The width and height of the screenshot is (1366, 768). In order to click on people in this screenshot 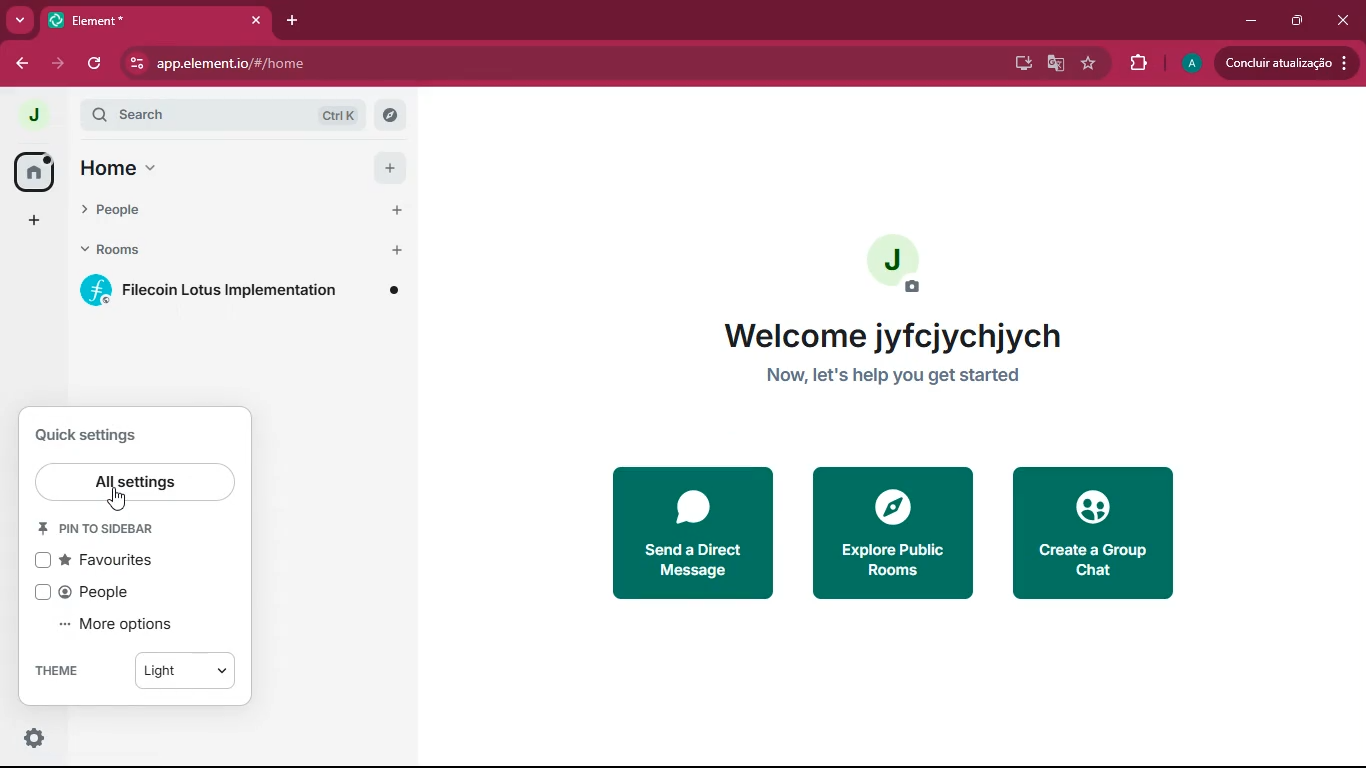, I will do `click(204, 210)`.